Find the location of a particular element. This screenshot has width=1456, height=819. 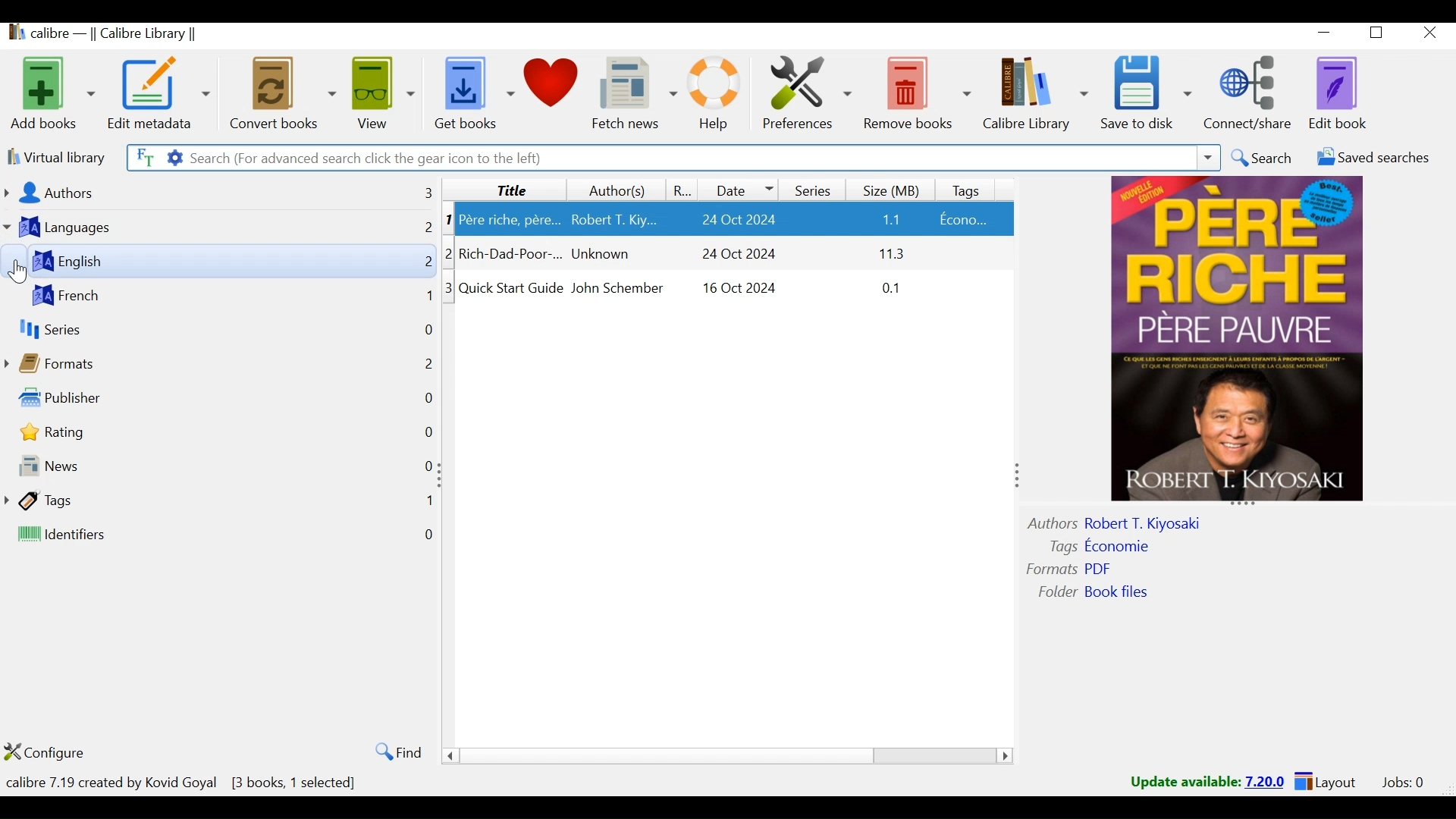

1 is located at coordinates (453, 219).